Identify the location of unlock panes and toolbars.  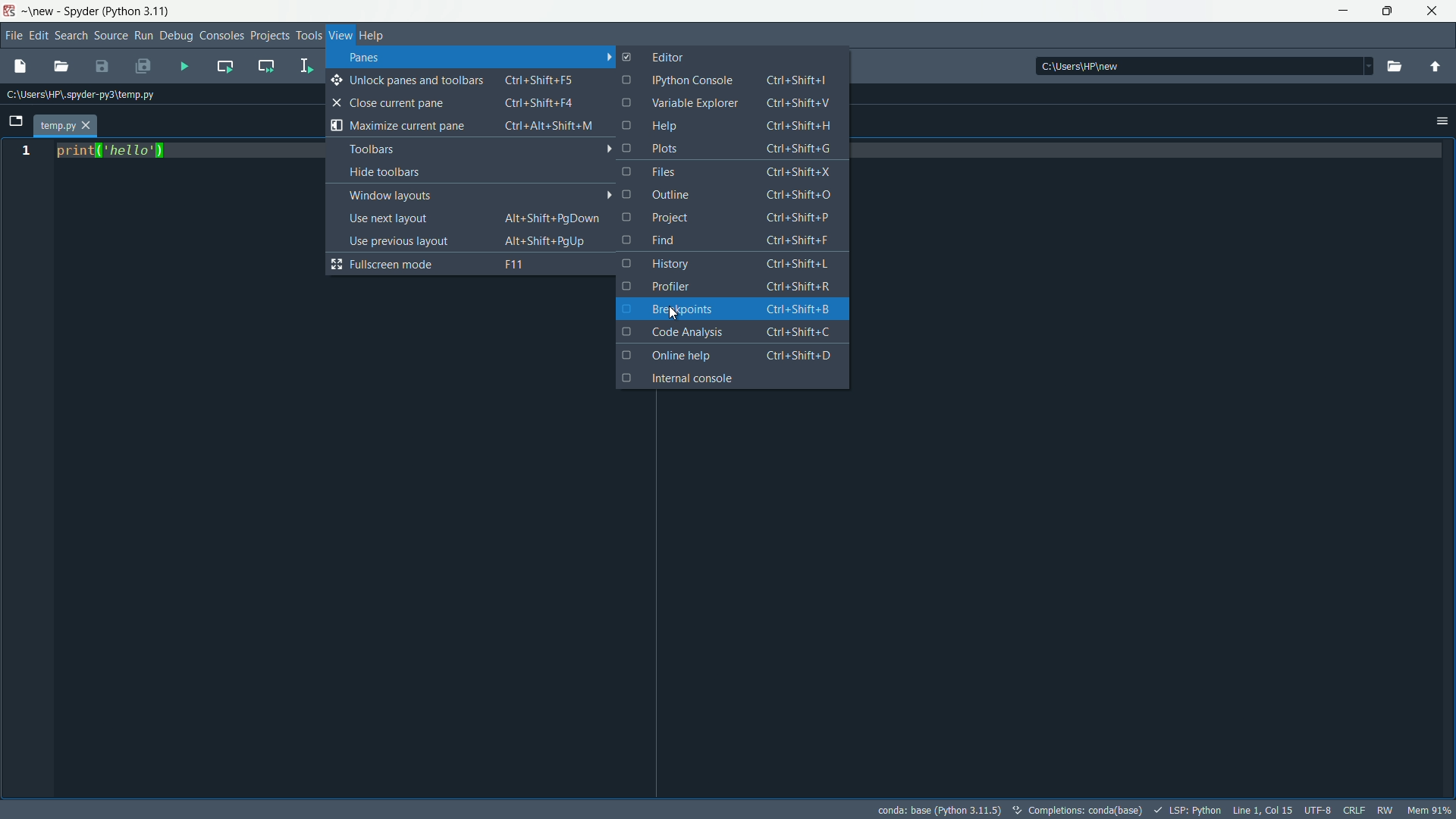
(467, 80).